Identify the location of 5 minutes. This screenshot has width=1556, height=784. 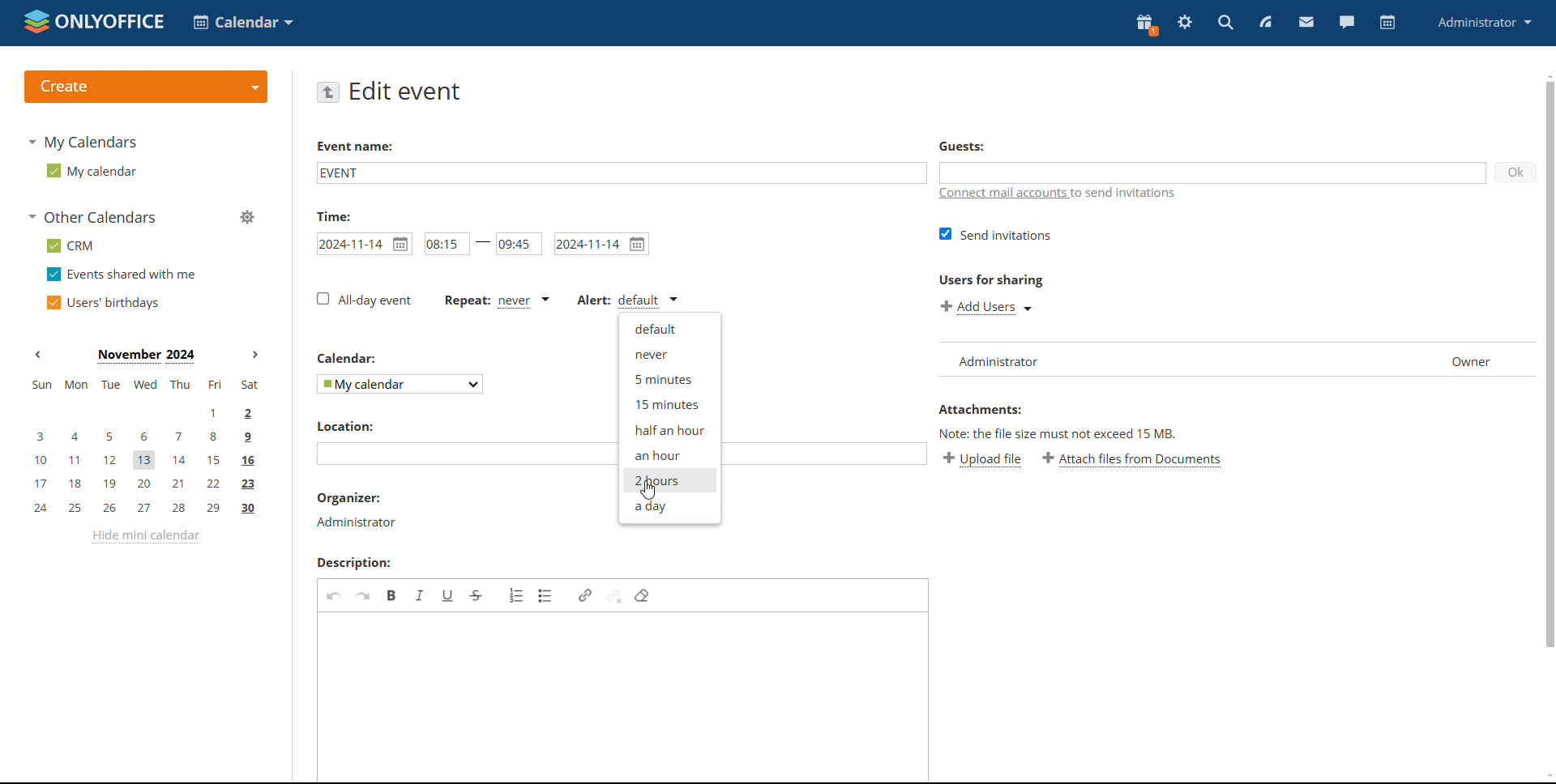
(669, 380).